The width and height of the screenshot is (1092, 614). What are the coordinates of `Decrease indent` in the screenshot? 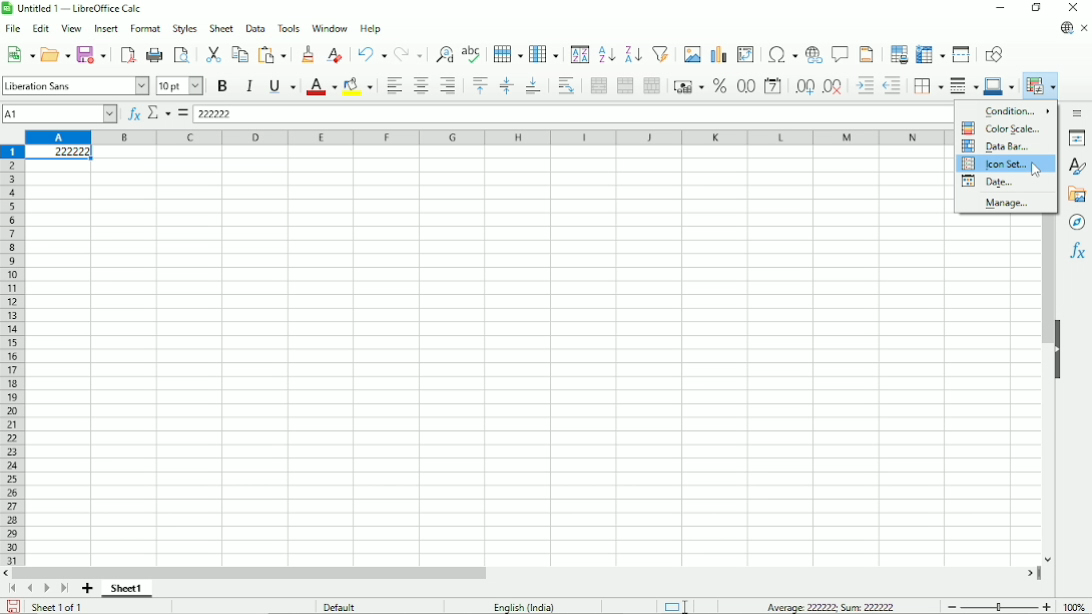 It's located at (894, 86).